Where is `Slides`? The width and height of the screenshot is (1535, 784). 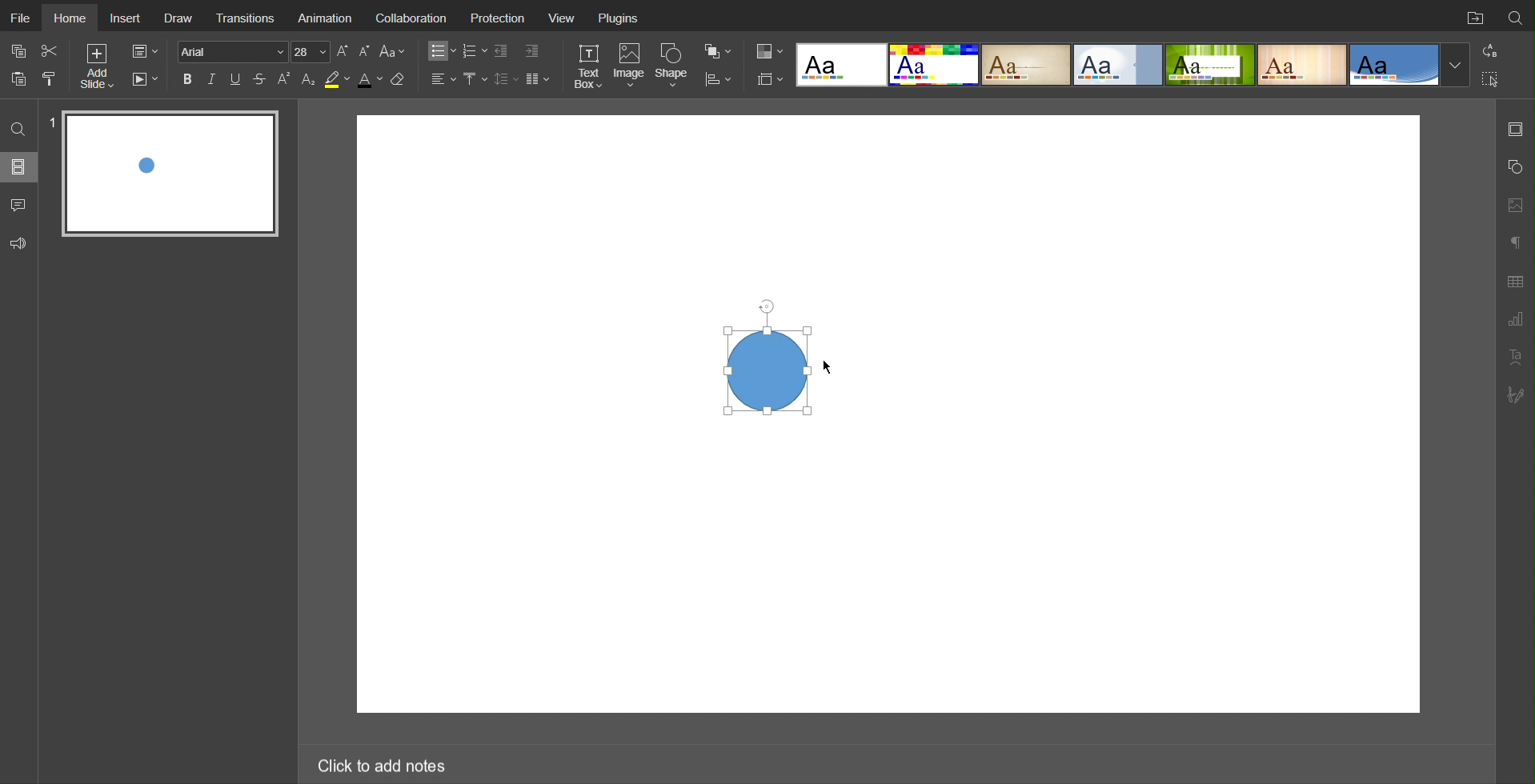 Slides is located at coordinates (20, 166).